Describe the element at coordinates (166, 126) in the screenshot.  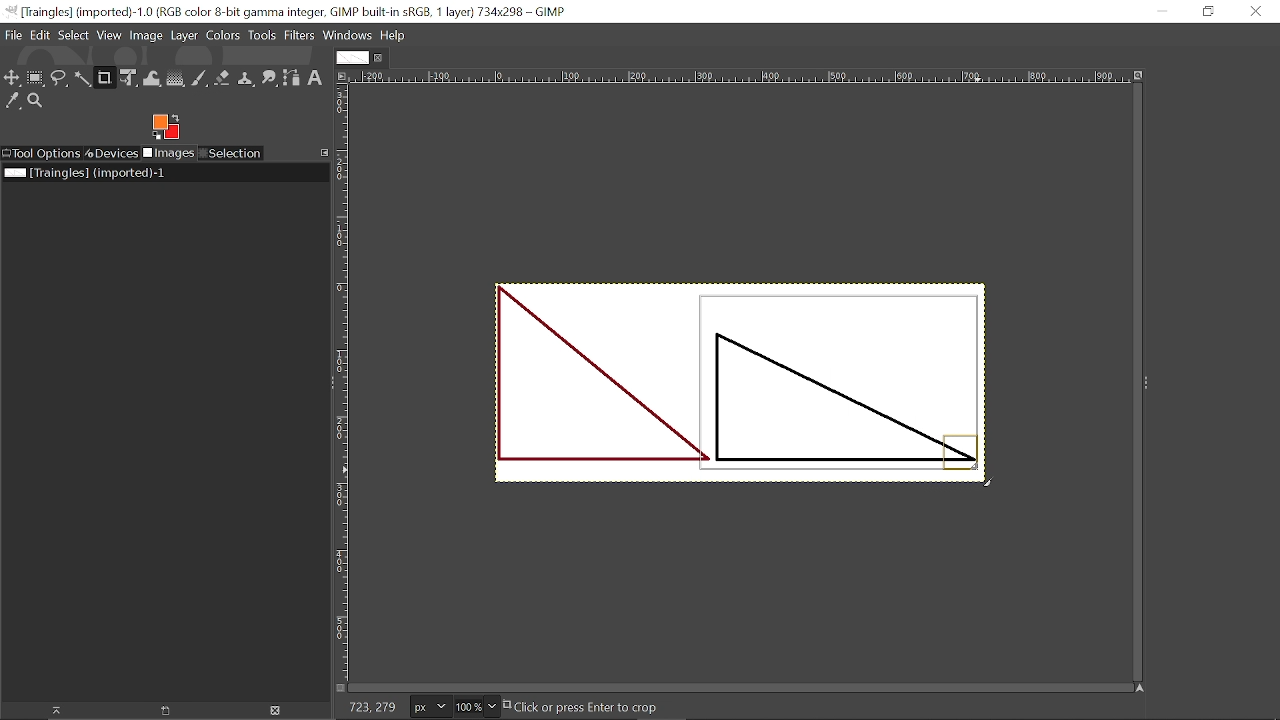
I see `The active foreground color` at that location.